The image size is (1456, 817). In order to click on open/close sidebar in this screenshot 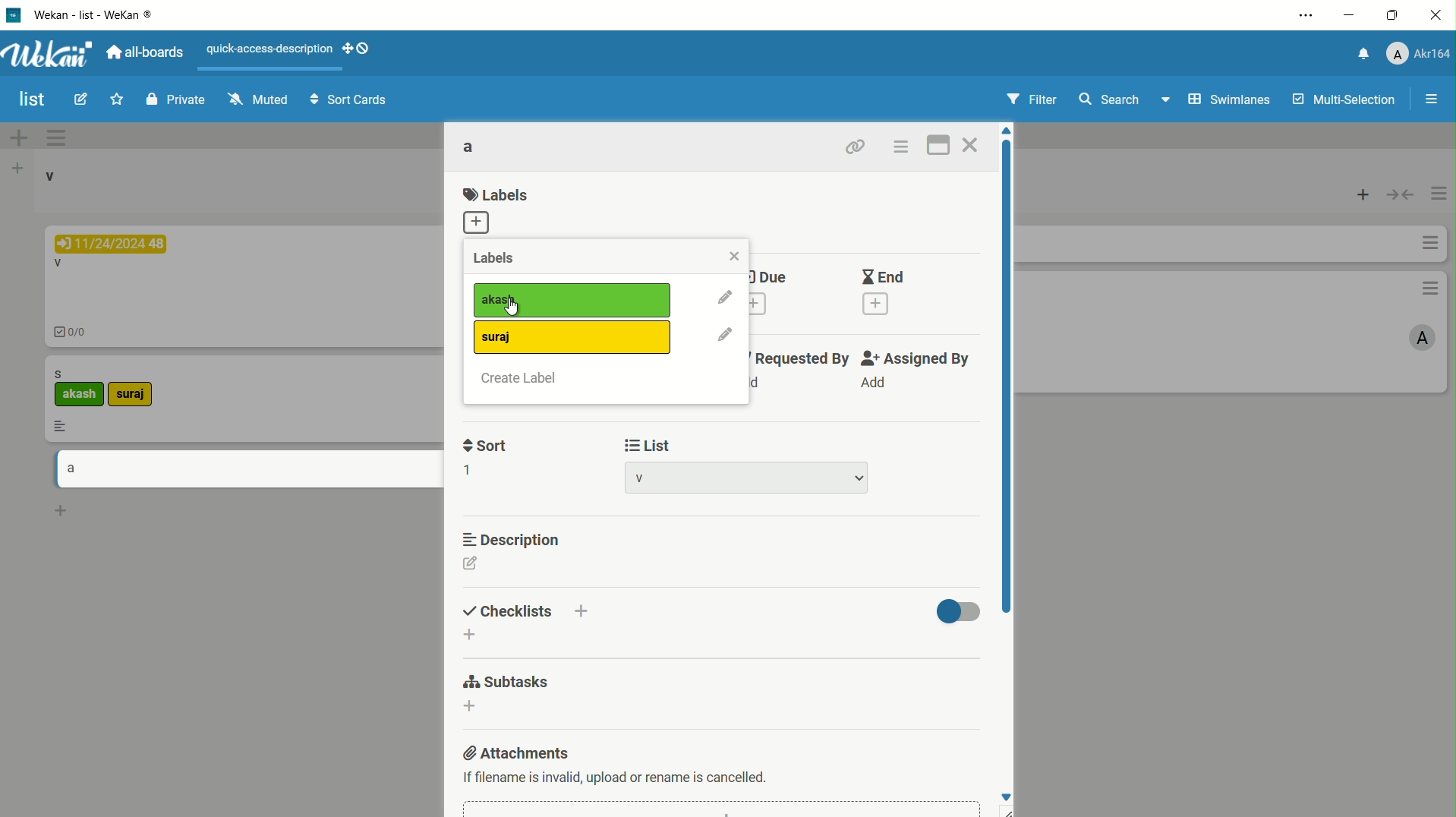, I will do `click(1432, 99)`.